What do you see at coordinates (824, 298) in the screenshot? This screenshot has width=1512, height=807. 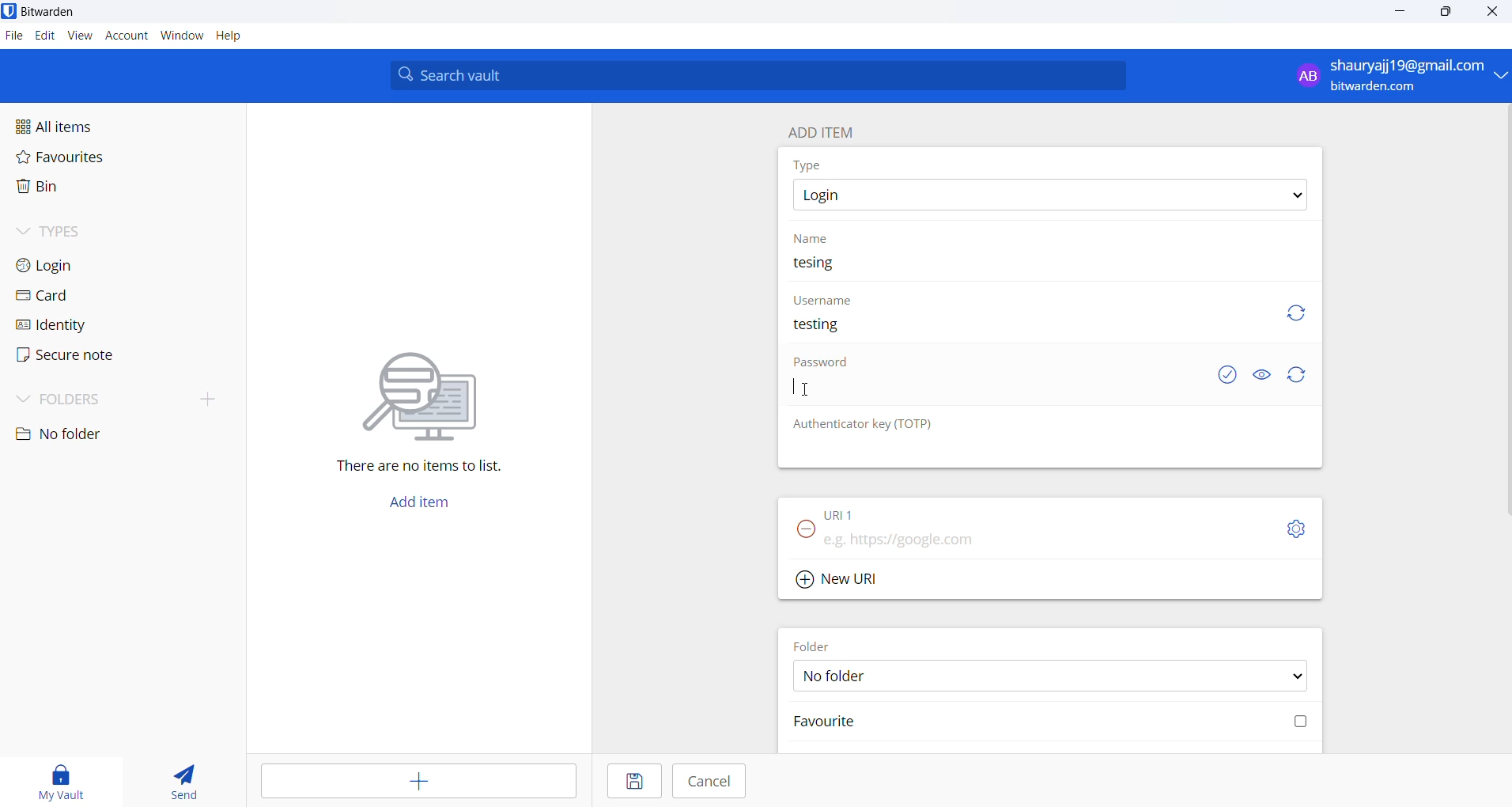 I see `username heading` at bounding box center [824, 298].